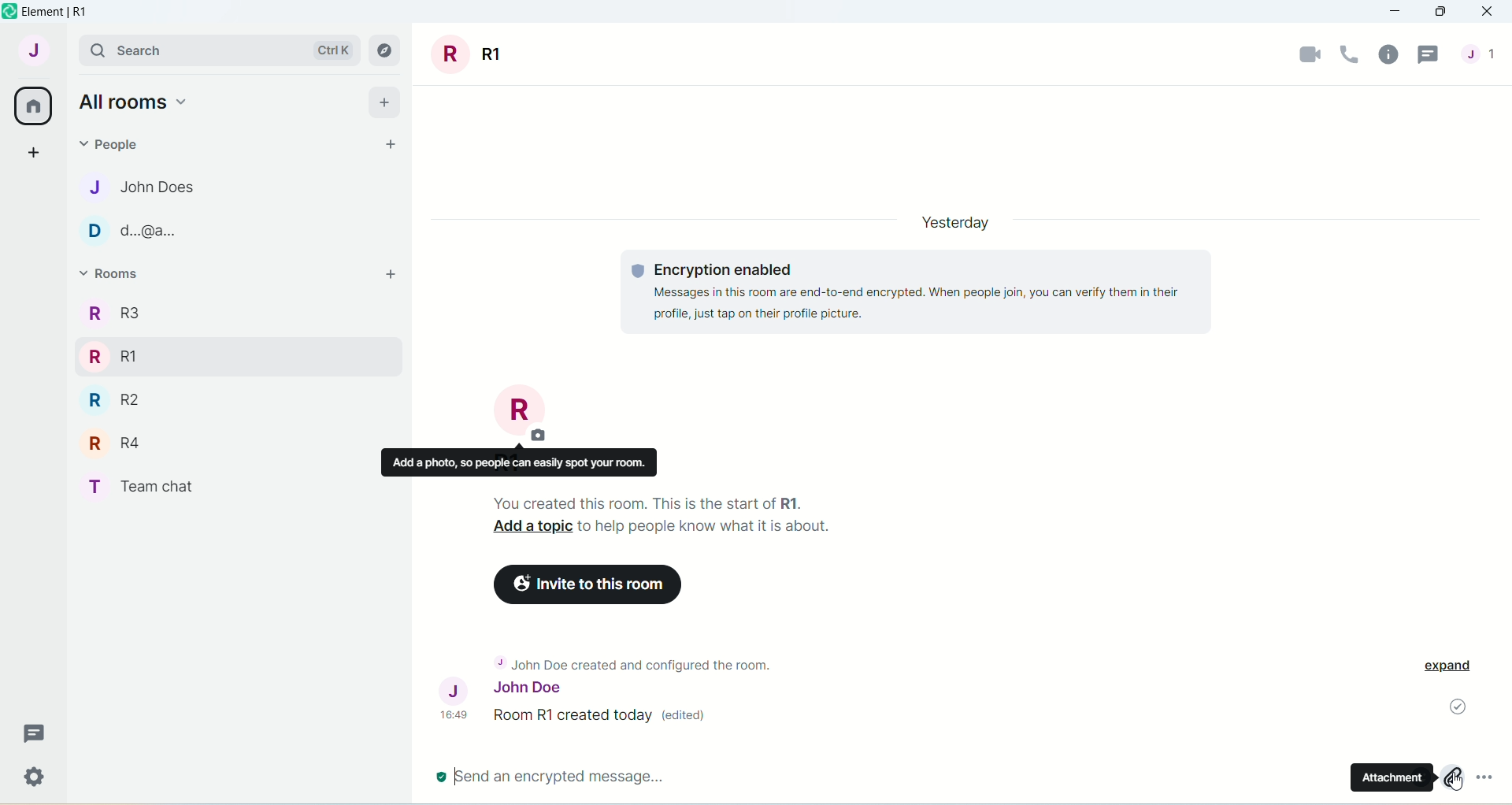 This screenshot has height=805, width=1512. I want to click on R3, so click(119, 317).